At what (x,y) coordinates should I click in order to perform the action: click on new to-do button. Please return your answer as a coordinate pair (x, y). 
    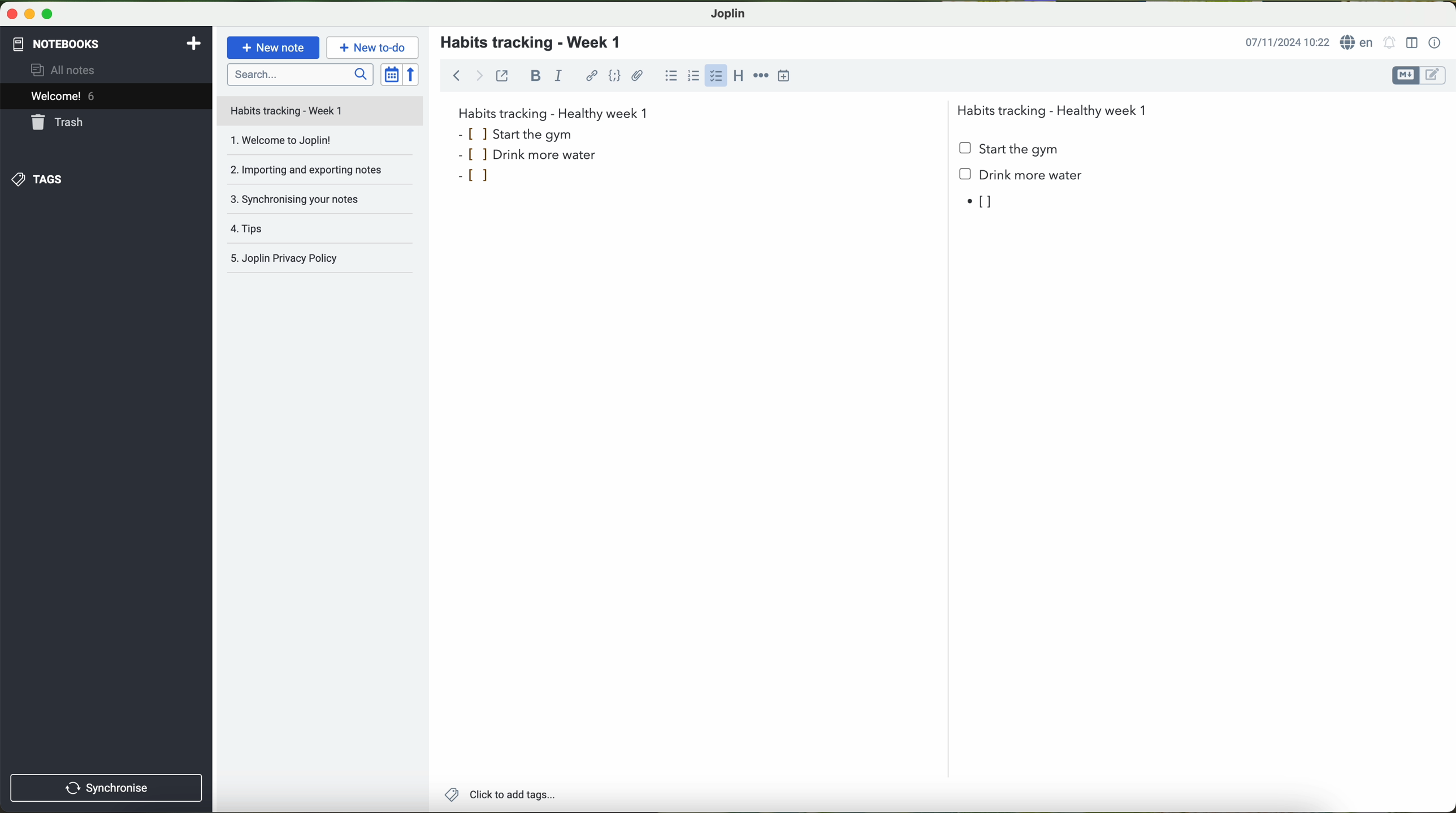
    Looking at the image, I should click on (372, 47).